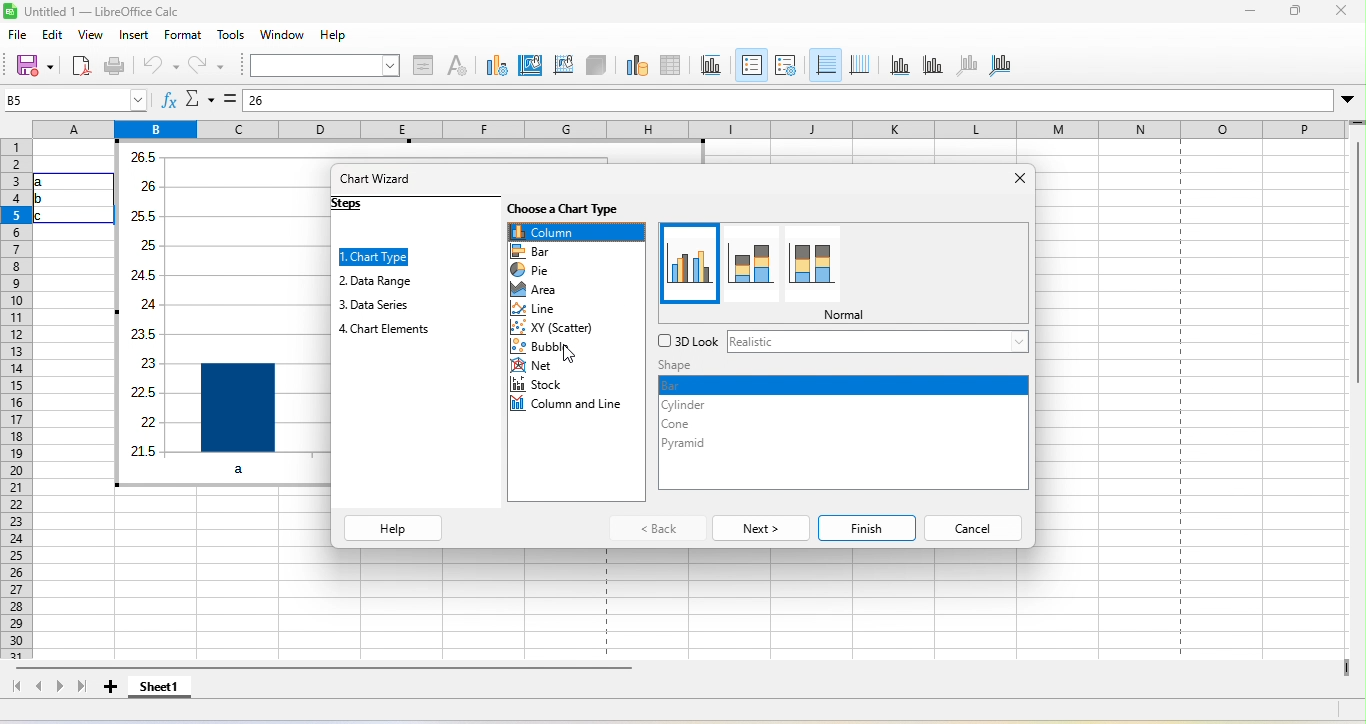  What do you see at coordinates (231, 97) in the screenshot?
I see `formula` at bounding box center [231, 97].